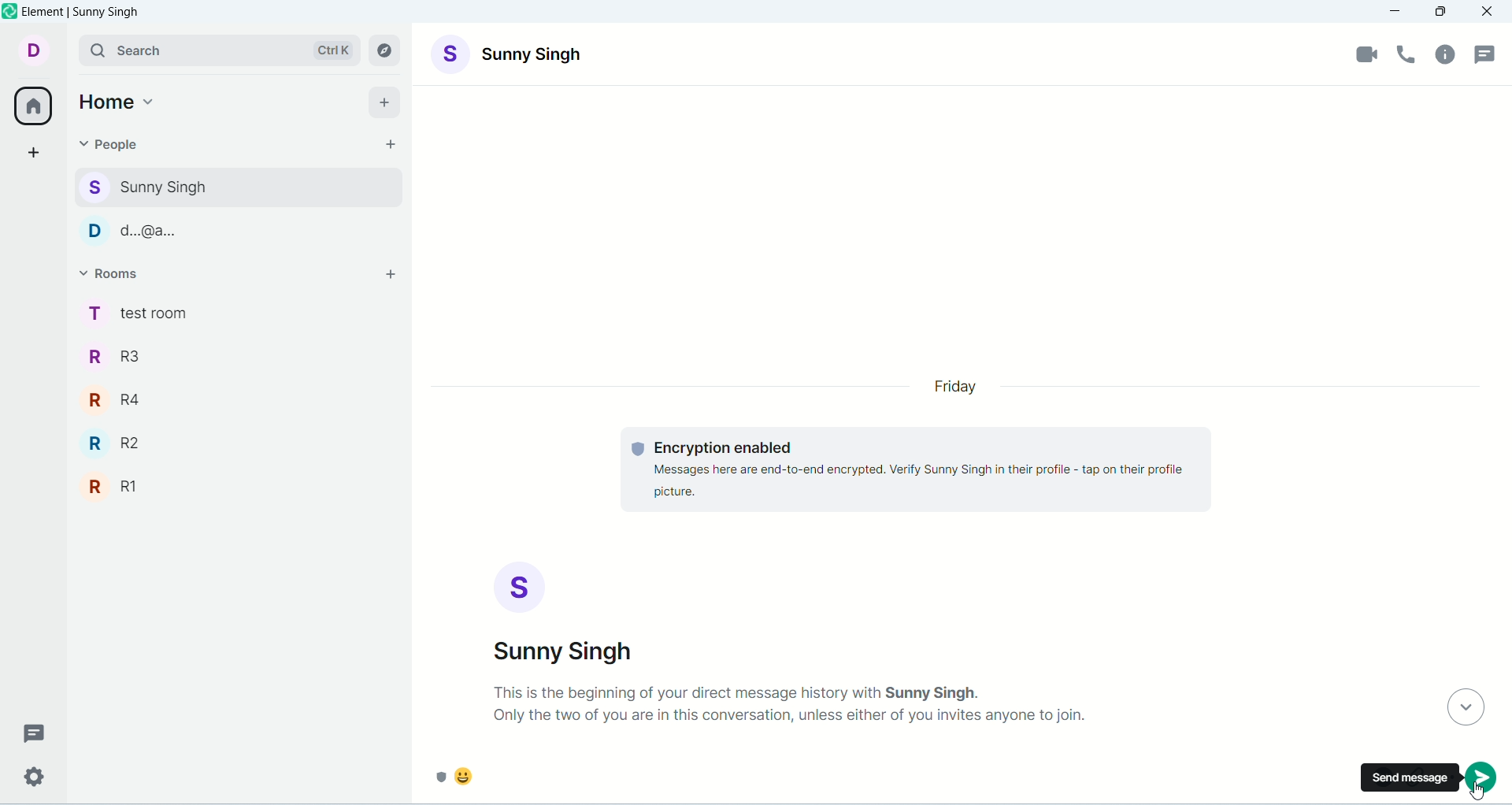 The width and height of the screenshot is (1512, 805). I want to click on d...@..., so click(233, 228).